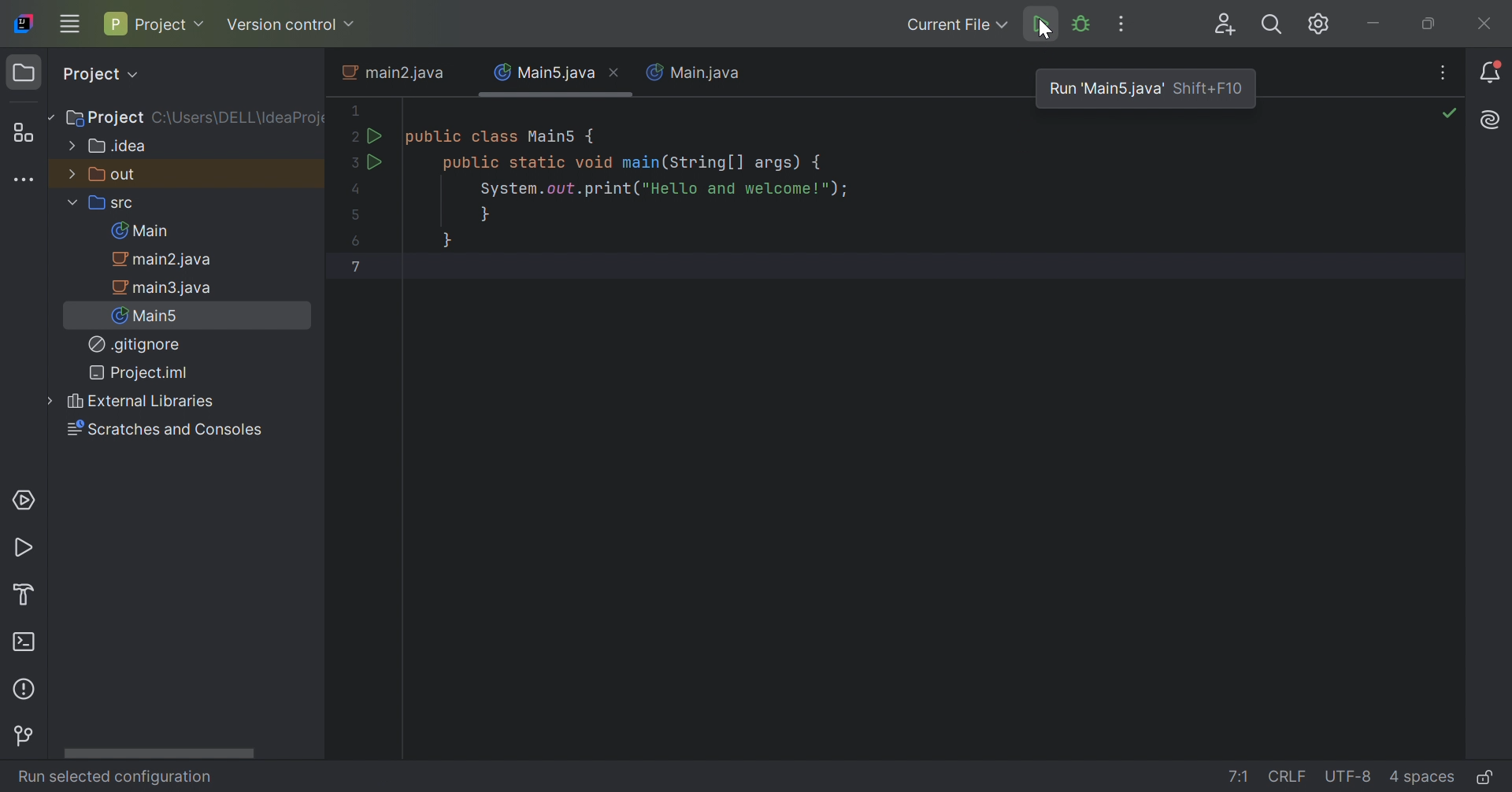  I want to click on main2.java, so click(391, 72).